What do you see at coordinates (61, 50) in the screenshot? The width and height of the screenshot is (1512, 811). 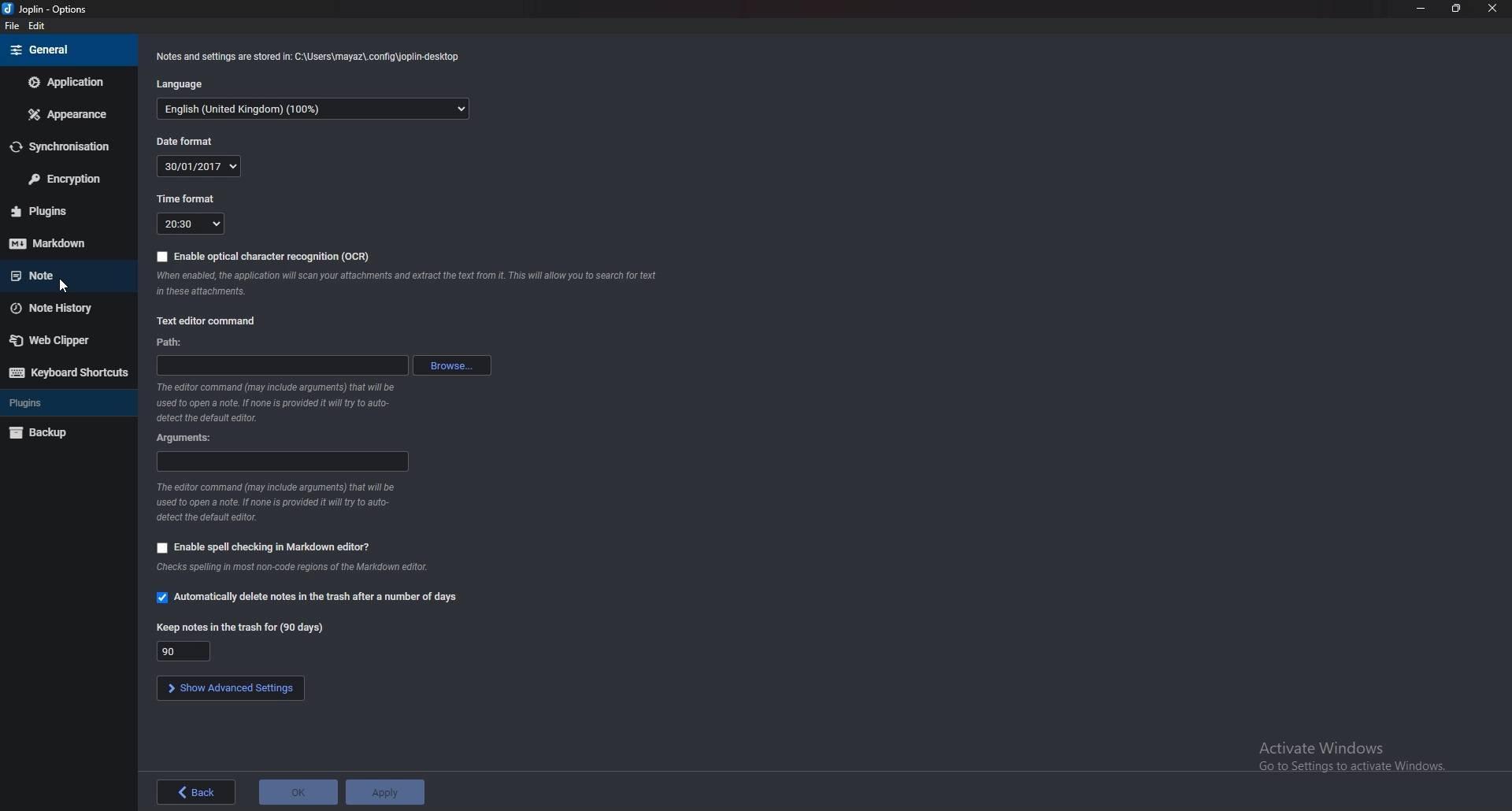 I see `General` at bounding box center [61, 50].